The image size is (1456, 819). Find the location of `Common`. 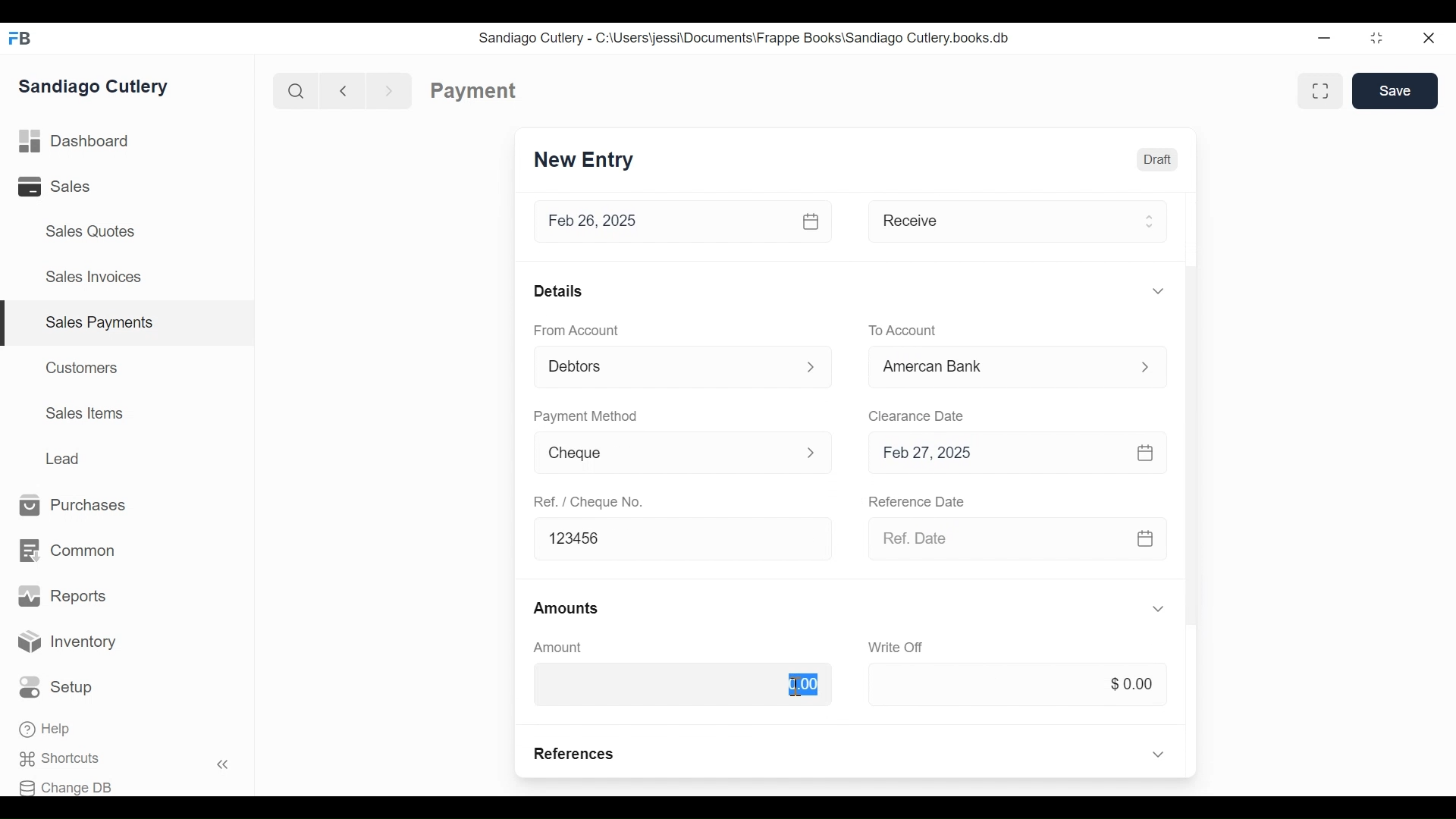

Common is located at coordinates (66, 551).